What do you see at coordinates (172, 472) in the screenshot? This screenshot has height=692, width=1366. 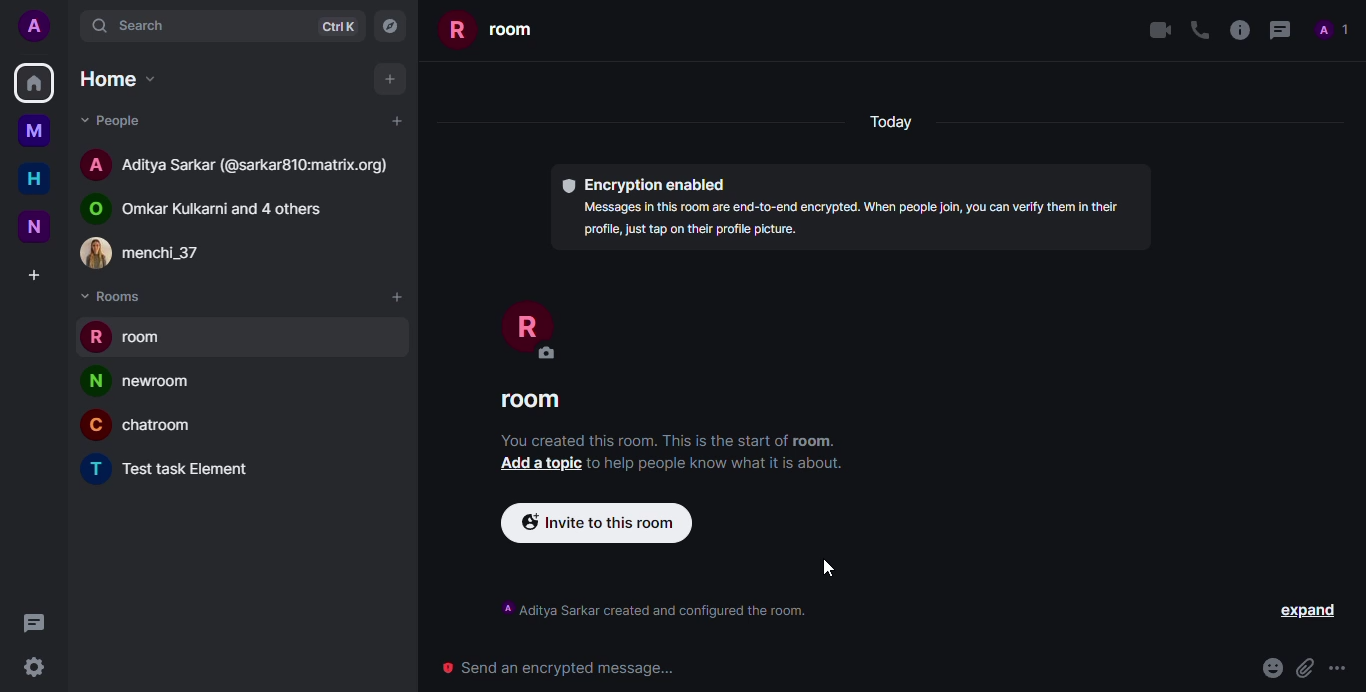 I see `Test task element` at bounding box center [172, 472].